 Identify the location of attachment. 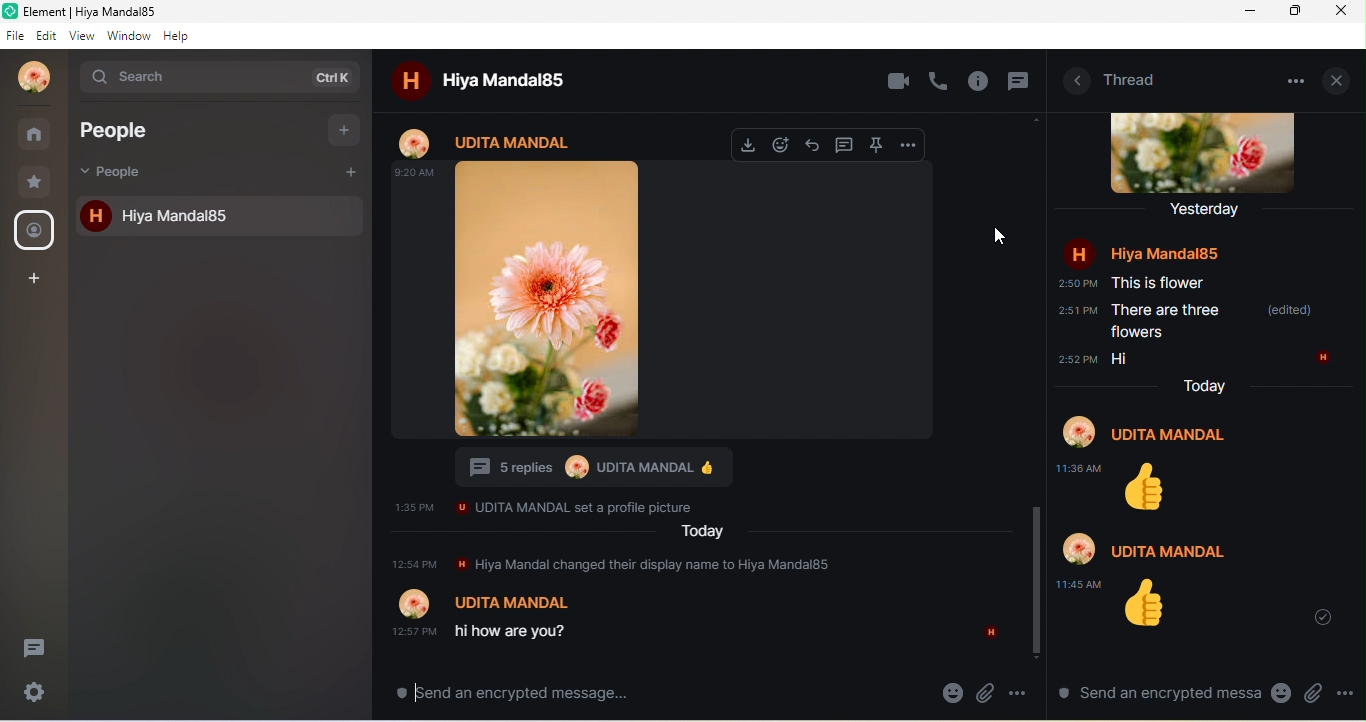
(1313, 693).